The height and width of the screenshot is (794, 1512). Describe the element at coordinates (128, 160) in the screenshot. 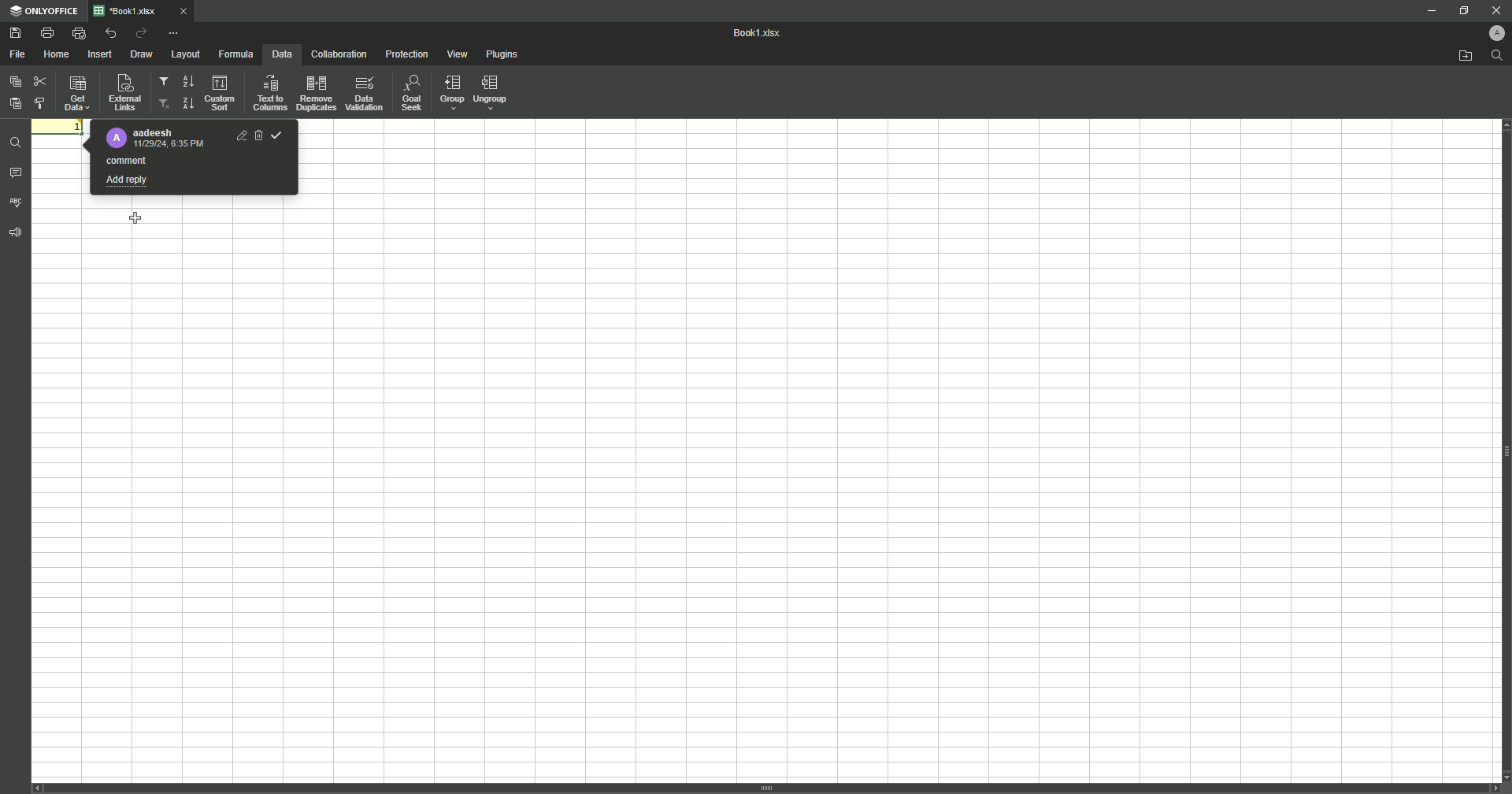

I see `comment` at that location.